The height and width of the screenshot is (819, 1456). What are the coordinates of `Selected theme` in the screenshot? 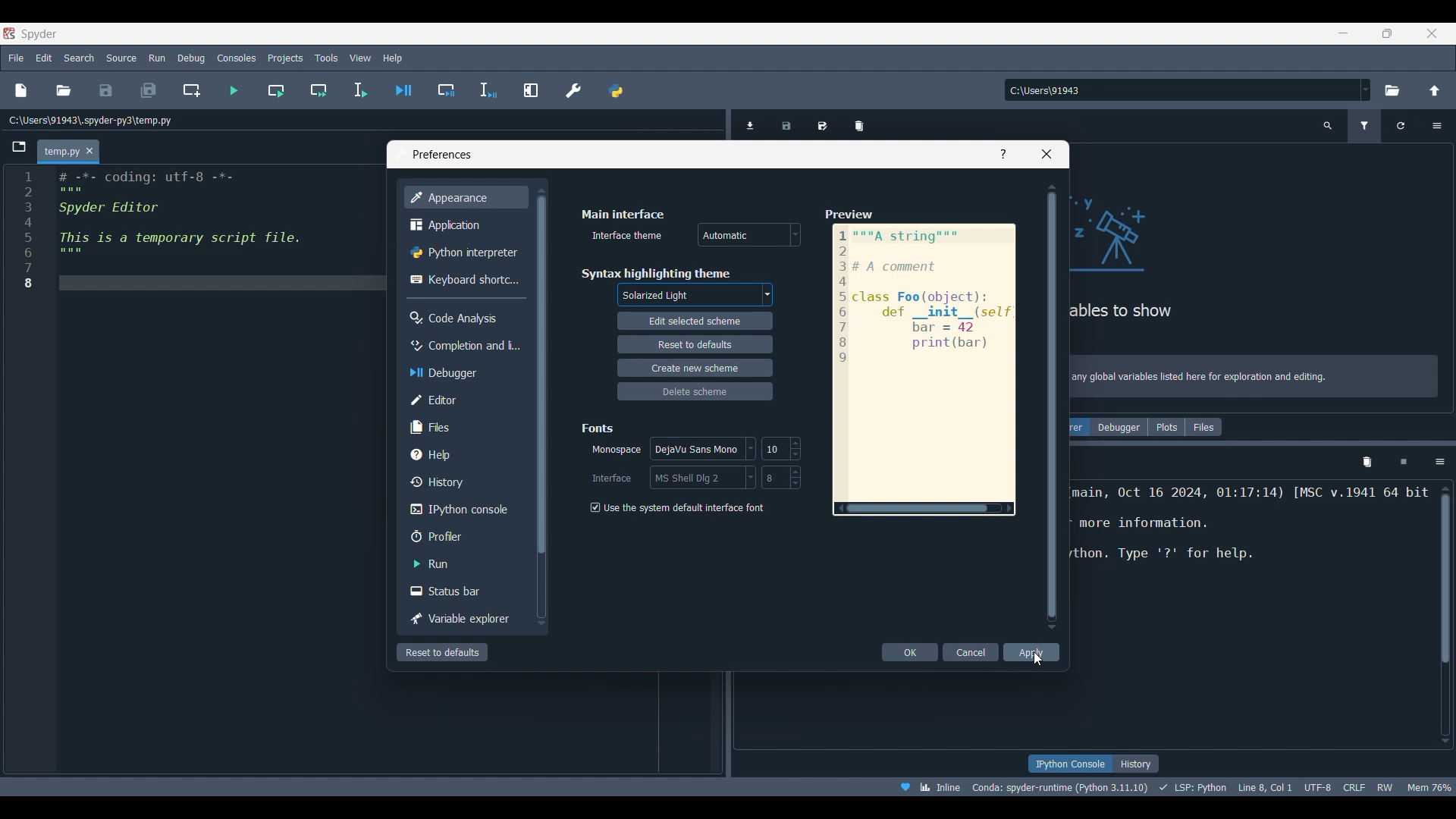 It's located at (697, 294).